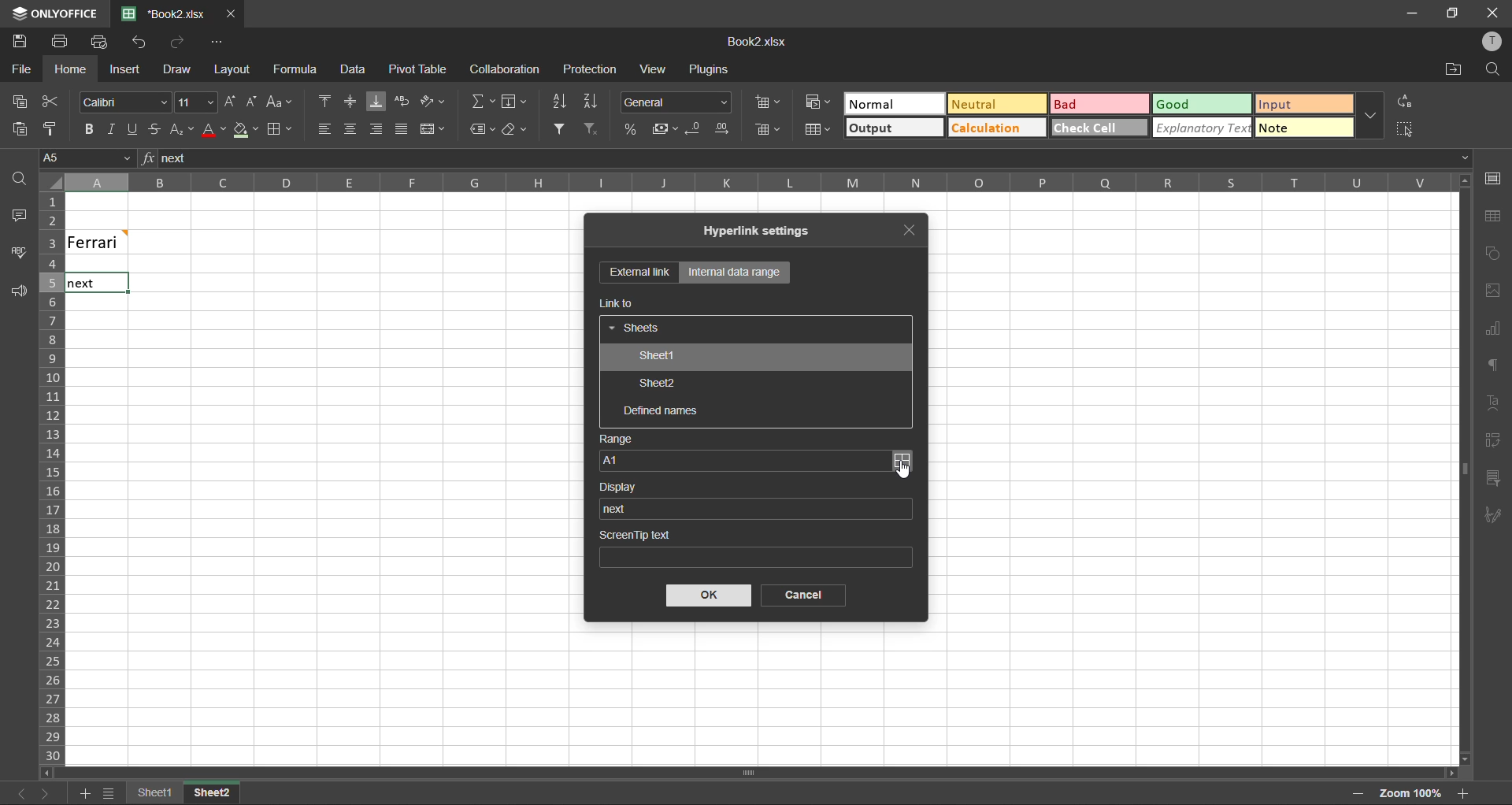 The width and height of the screenshot is (1512, 805). What do you see at coordinates (1492, 216) in the screenshot?
I see `table` at bounding box center [1492, 216].